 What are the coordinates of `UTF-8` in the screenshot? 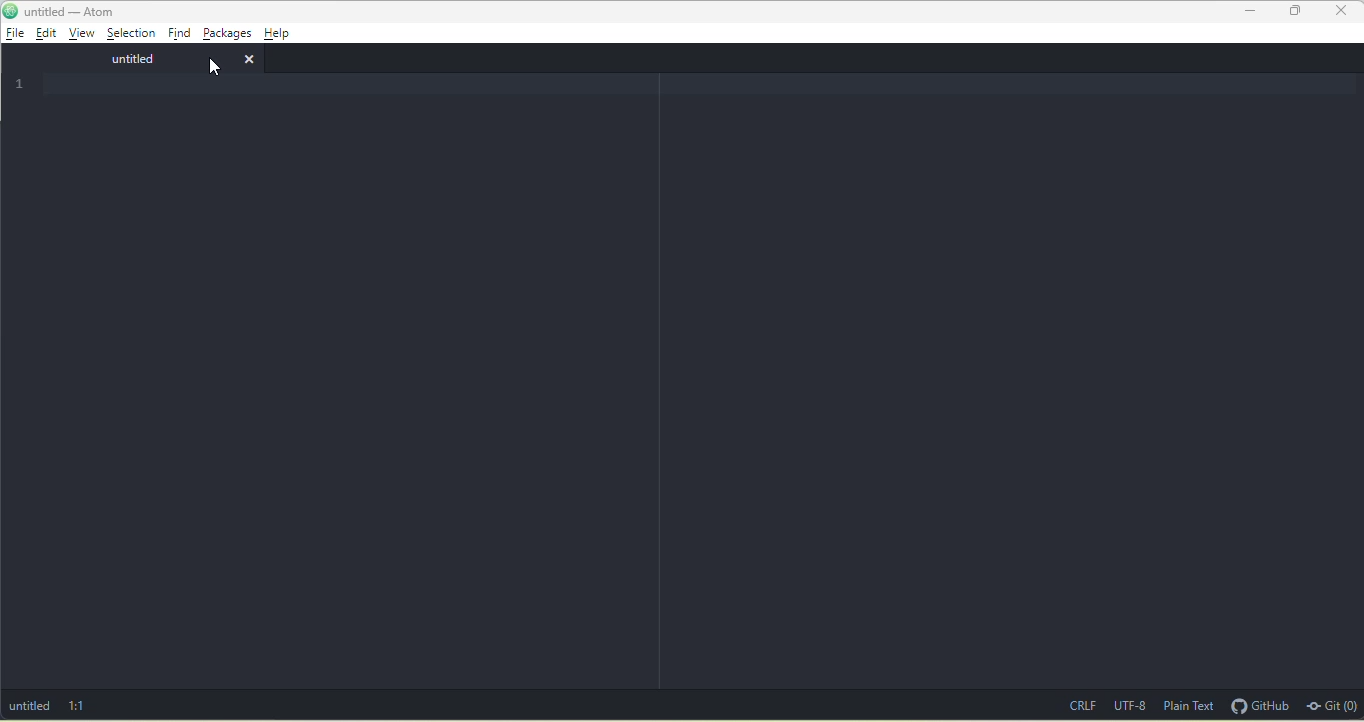 It's located at (1130, 703).